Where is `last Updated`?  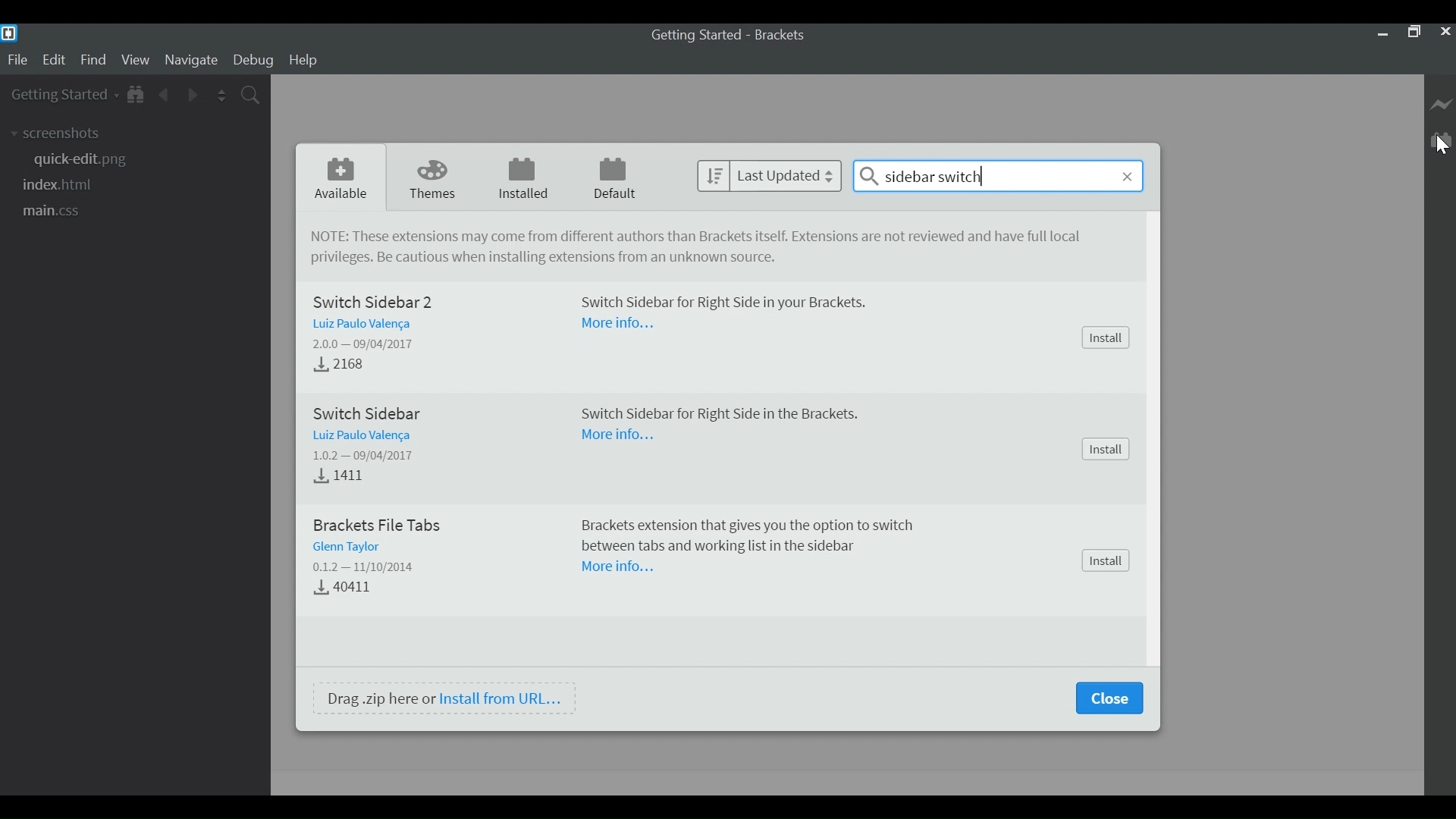
last Updated is located at coordinates (770, 175).